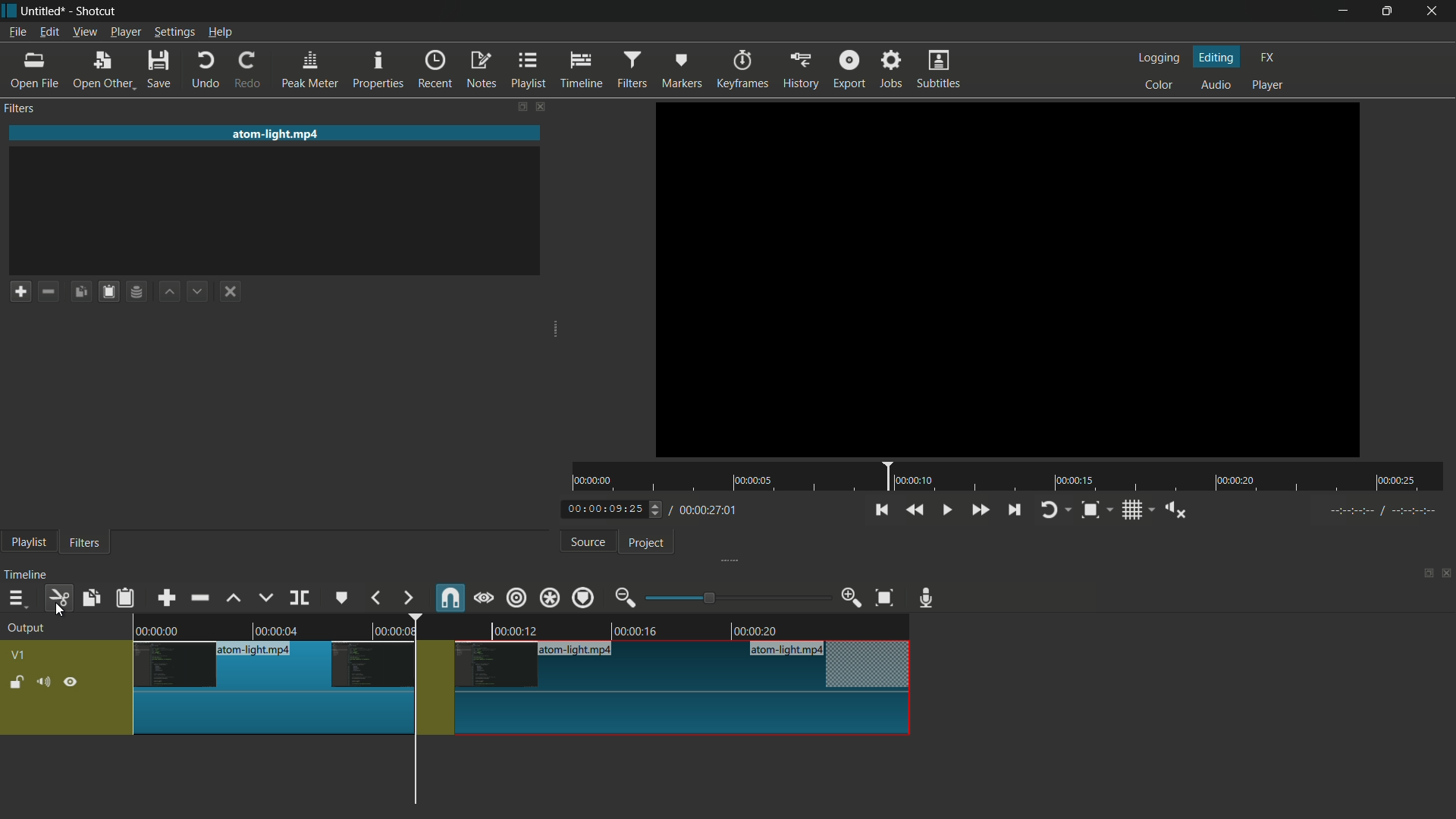  What do you see at coordinates (199, 597) in the screenshot?
I see `ripple delete` at bounding box center [199, 597].